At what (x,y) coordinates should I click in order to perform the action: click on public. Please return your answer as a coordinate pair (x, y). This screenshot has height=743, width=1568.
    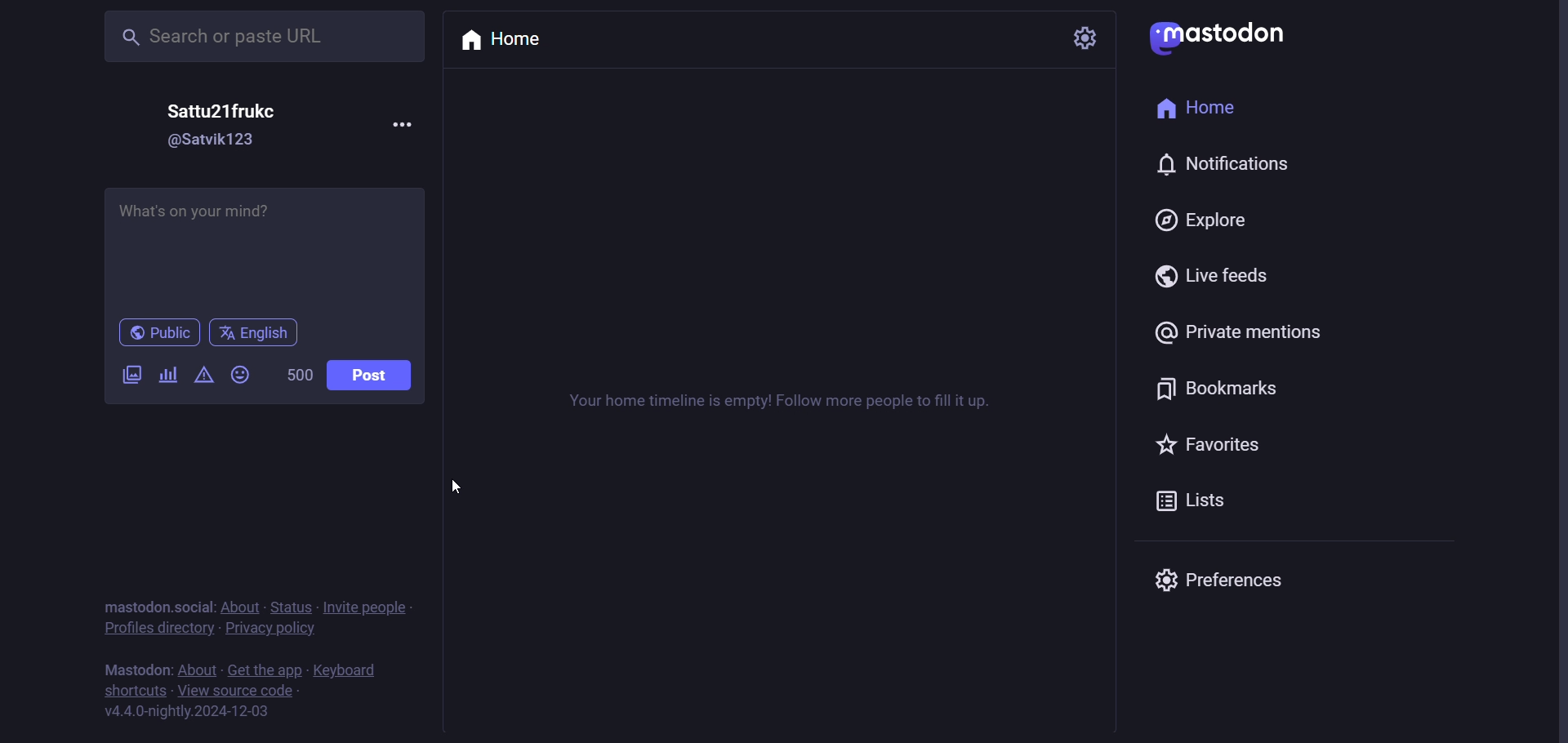
    Looking at the image, I should click on (156, 332).